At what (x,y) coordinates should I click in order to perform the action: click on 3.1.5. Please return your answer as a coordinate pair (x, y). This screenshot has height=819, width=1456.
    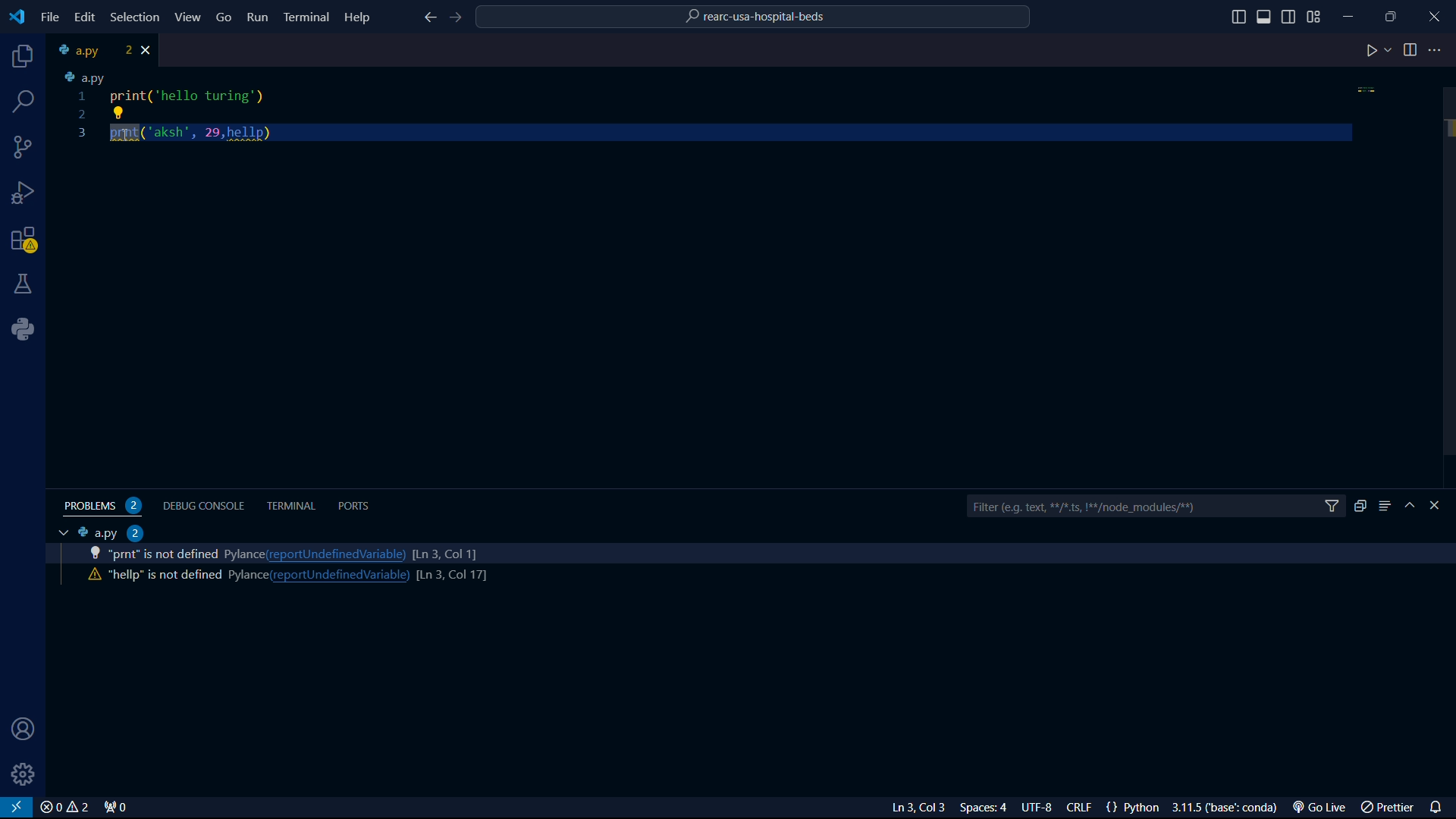
    Looking at the image, I should click on (1229, 808).